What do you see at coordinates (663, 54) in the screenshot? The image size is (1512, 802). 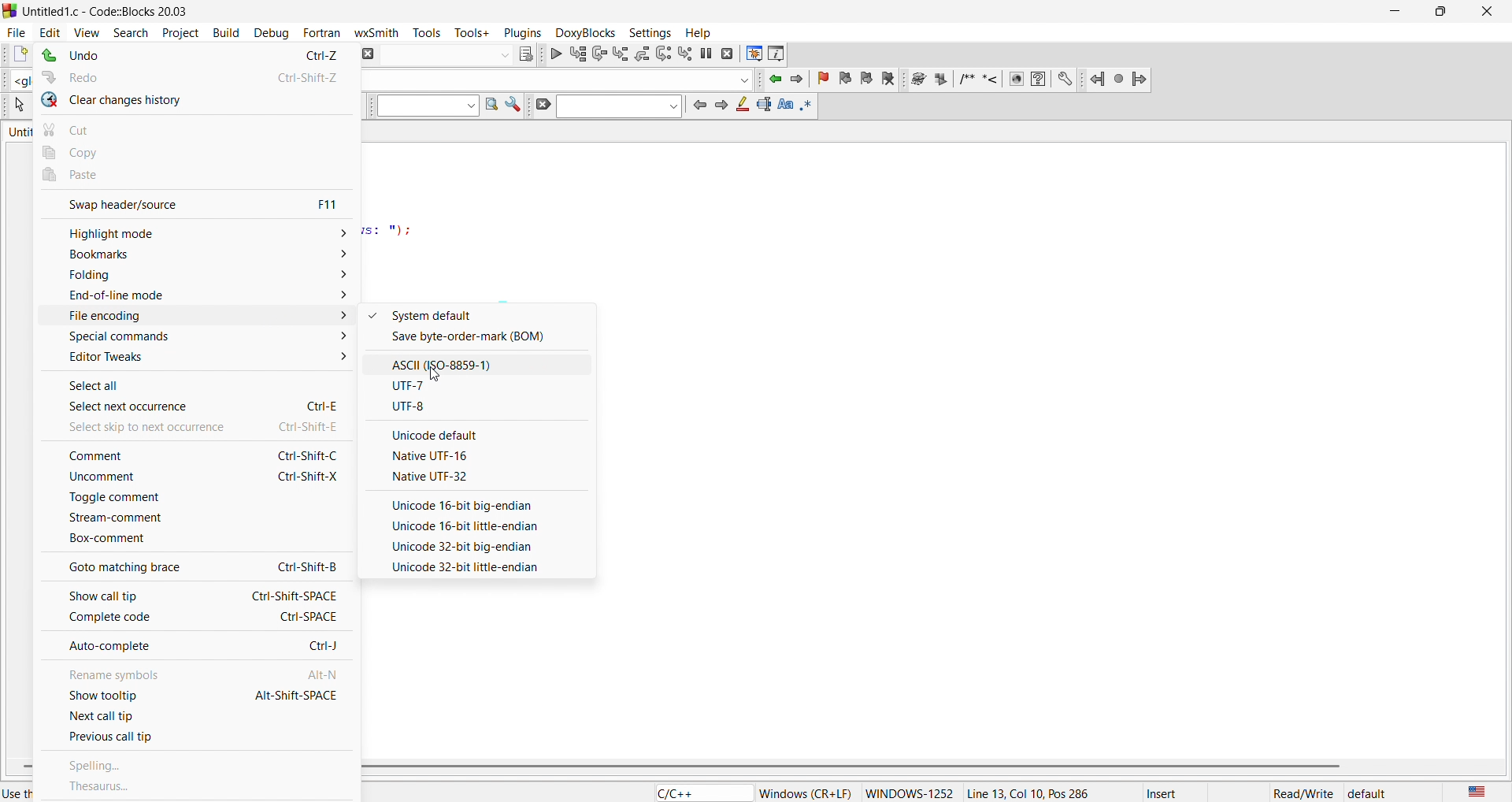 I see `next instruction` at bounding box center [663, 54].